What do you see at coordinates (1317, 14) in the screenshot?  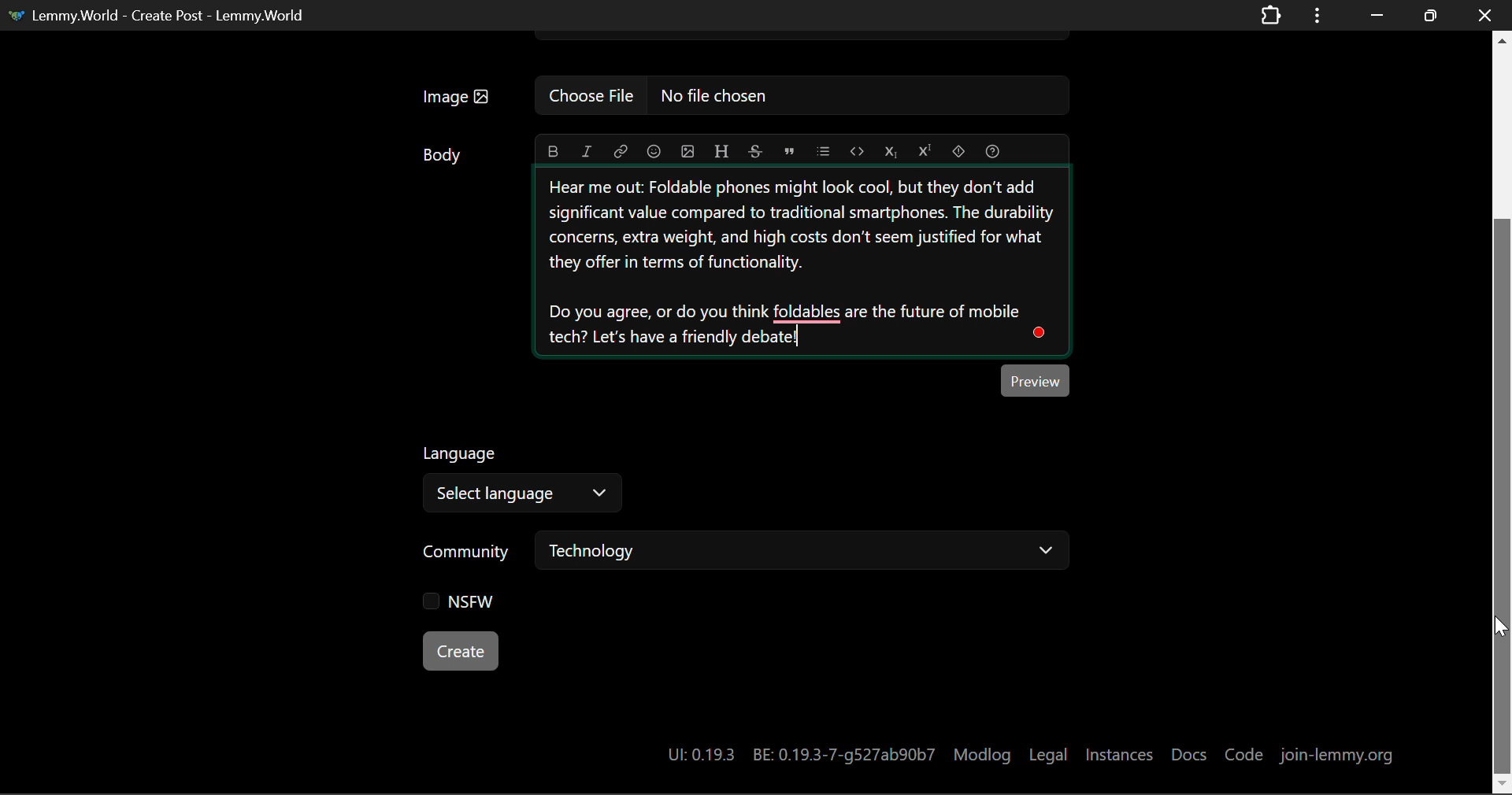 I see `Application Options Menu` at bounding box center [1317, 14].